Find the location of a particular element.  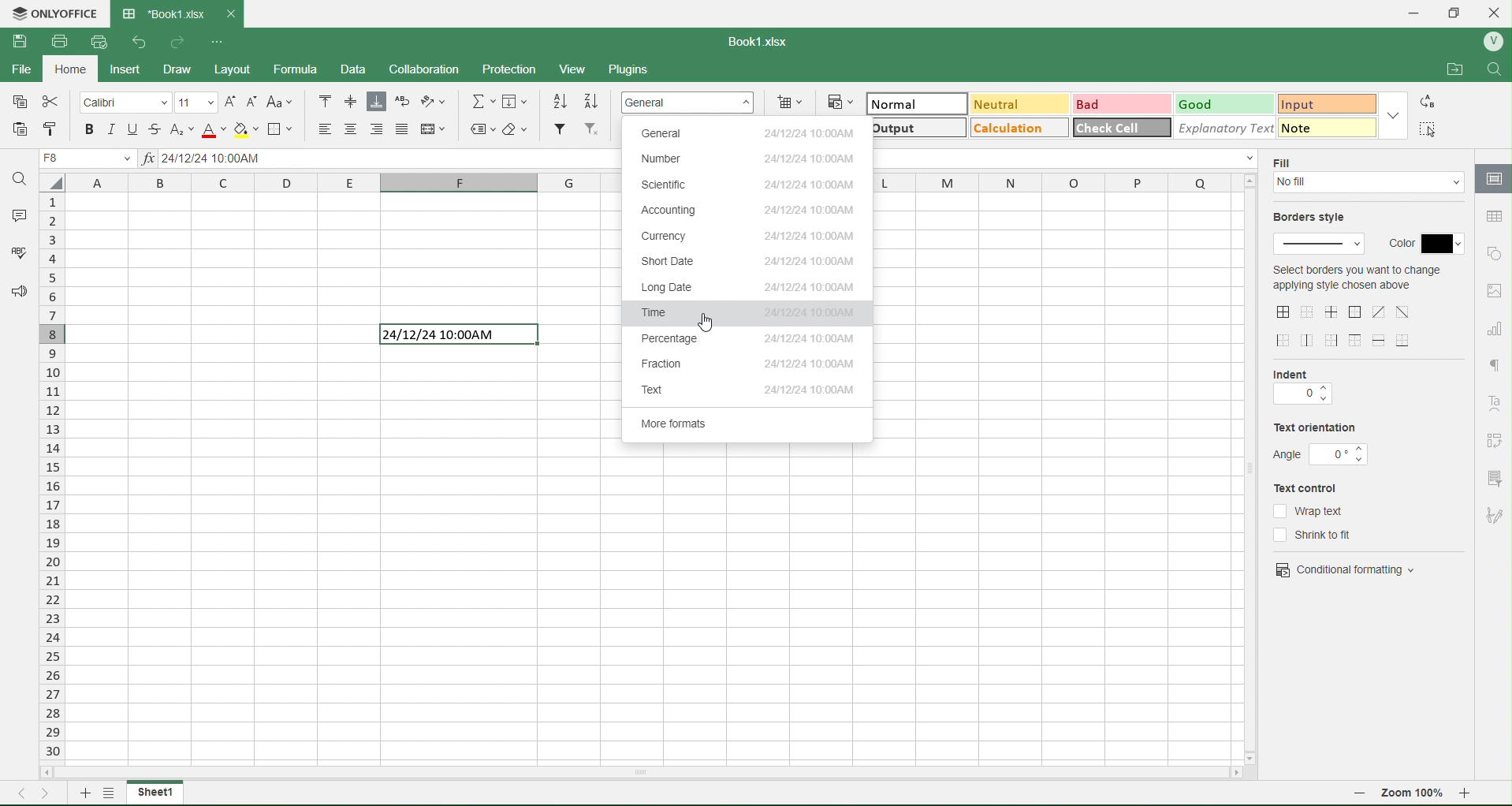

Text is located at coordinates (750, 391).